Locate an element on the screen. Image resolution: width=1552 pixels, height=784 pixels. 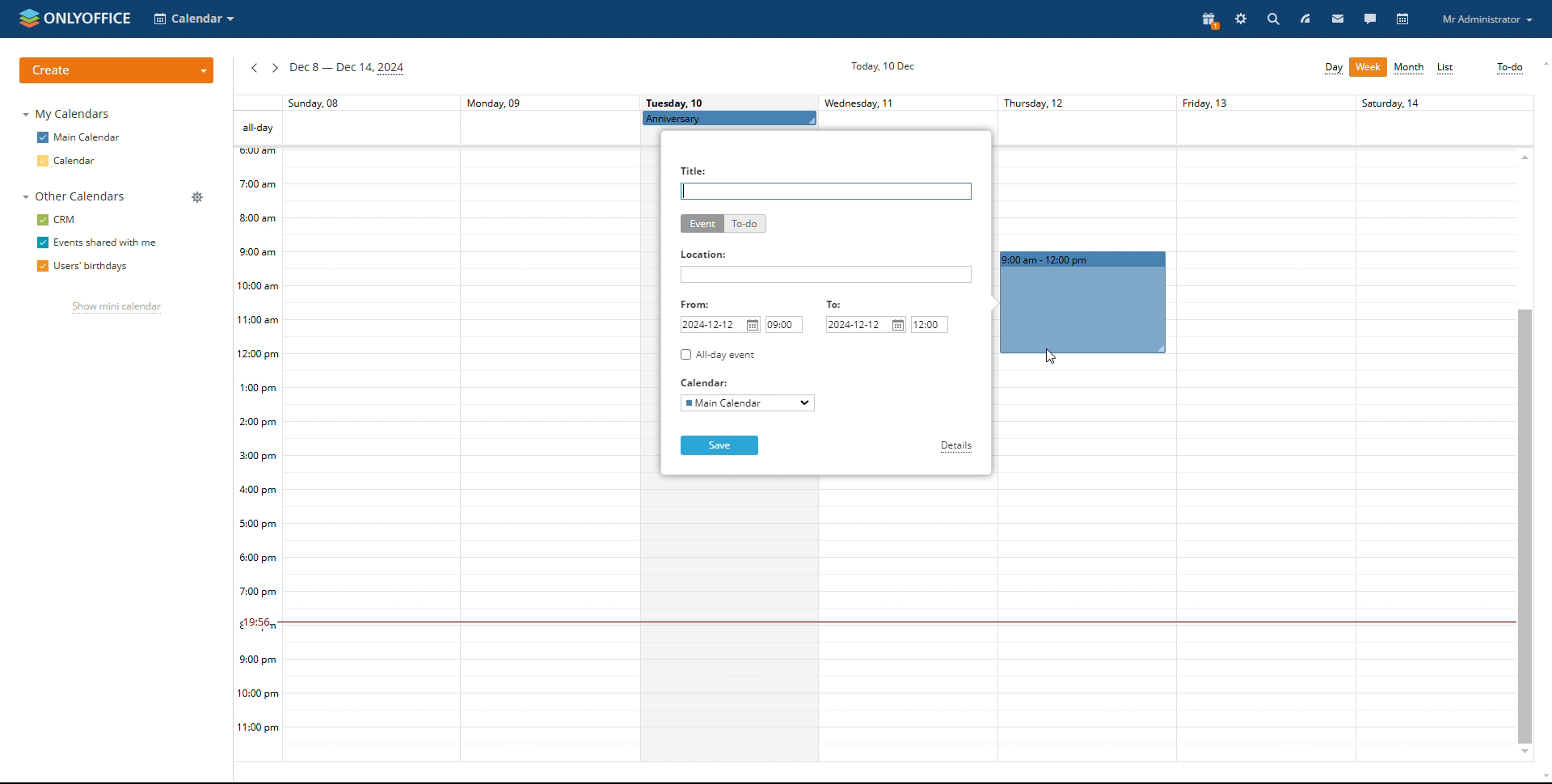
scroll down is located at coordinates (1525, 753).